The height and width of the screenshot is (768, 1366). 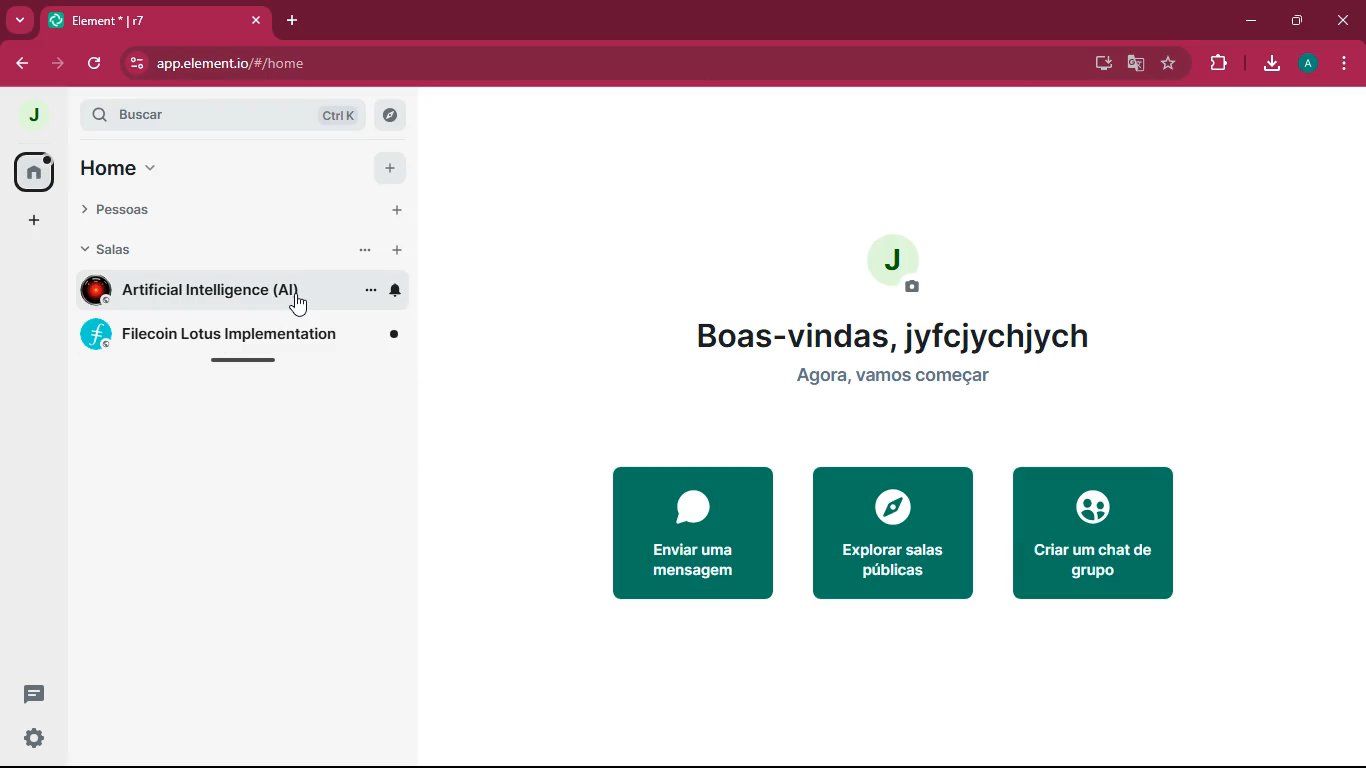 What do you see at coordinates (1134, 64) in the screenshot?
I see `translator` at bounding box center [1134, 64].